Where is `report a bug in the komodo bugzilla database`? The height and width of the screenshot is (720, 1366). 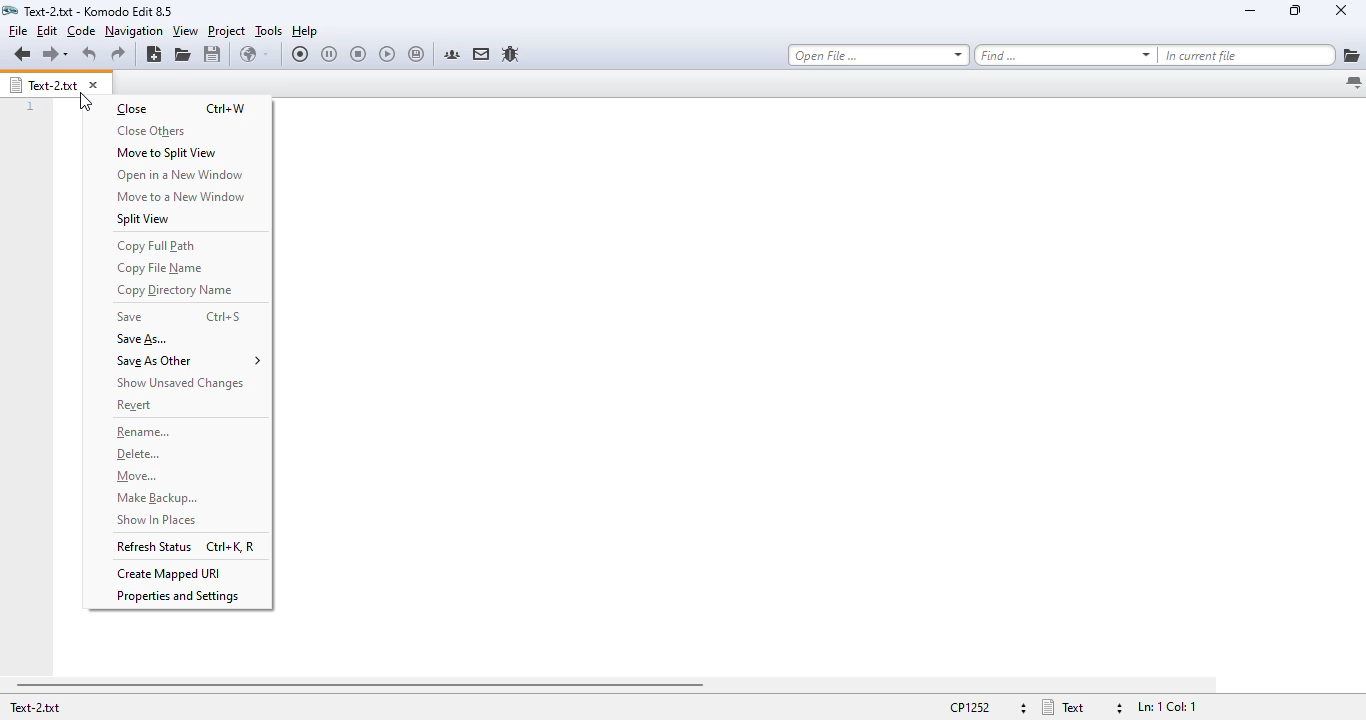 report a bug in the komodo bugzilla database is located at coordinates (511, 55).